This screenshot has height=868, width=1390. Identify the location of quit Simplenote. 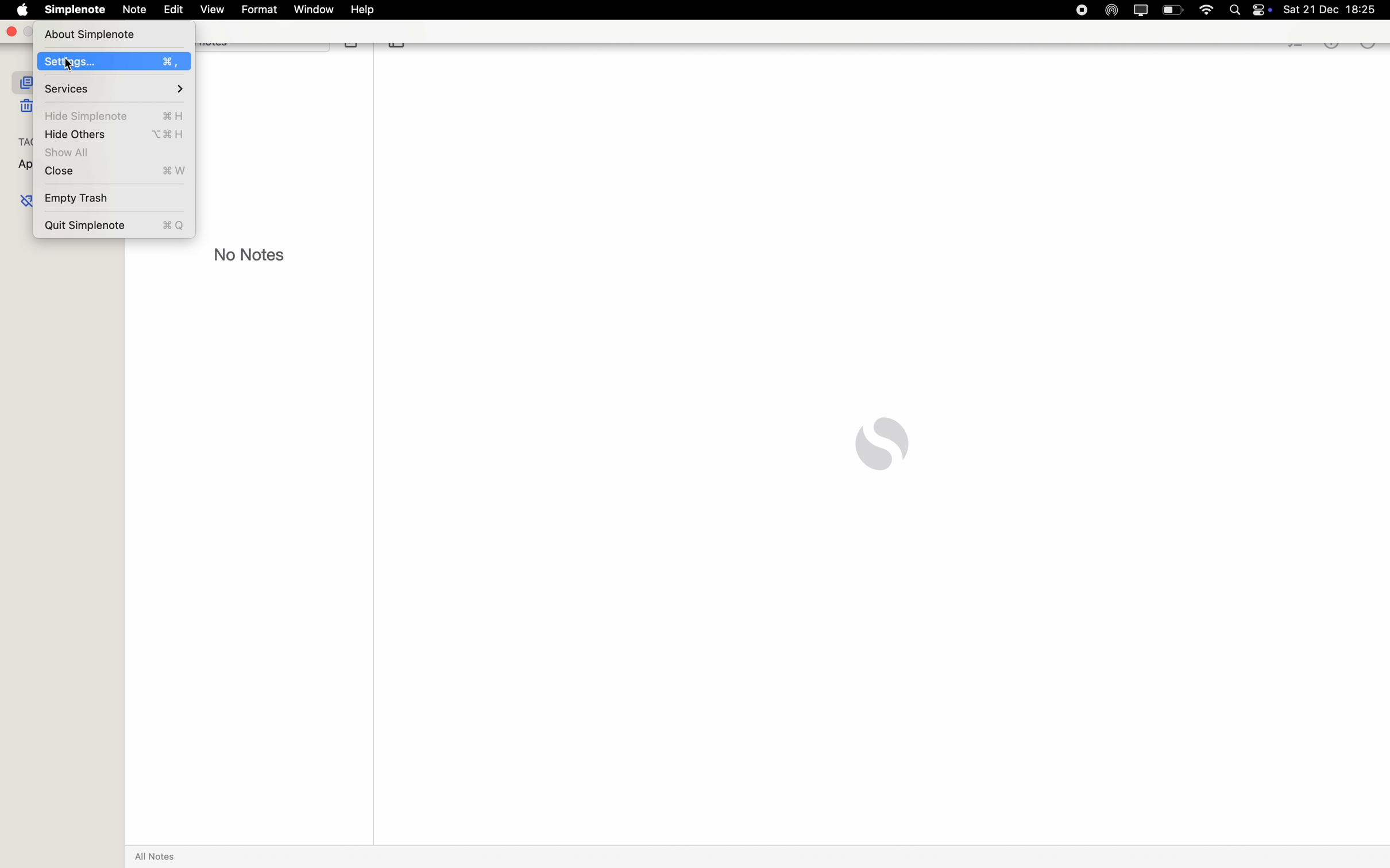
(114, 224).